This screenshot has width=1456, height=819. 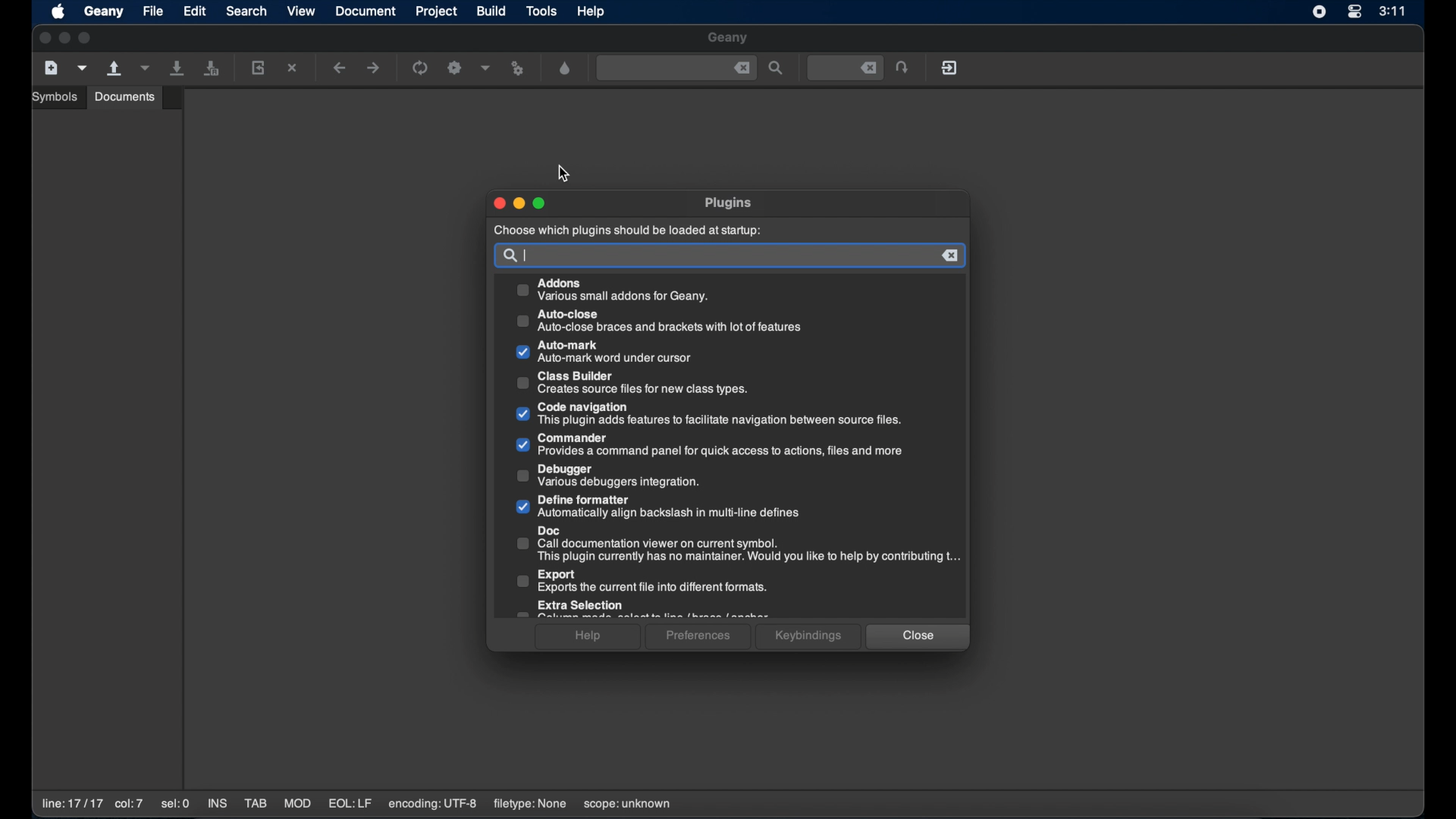 I want to click on encoding: UTF-8, so click(x=433, y=804).